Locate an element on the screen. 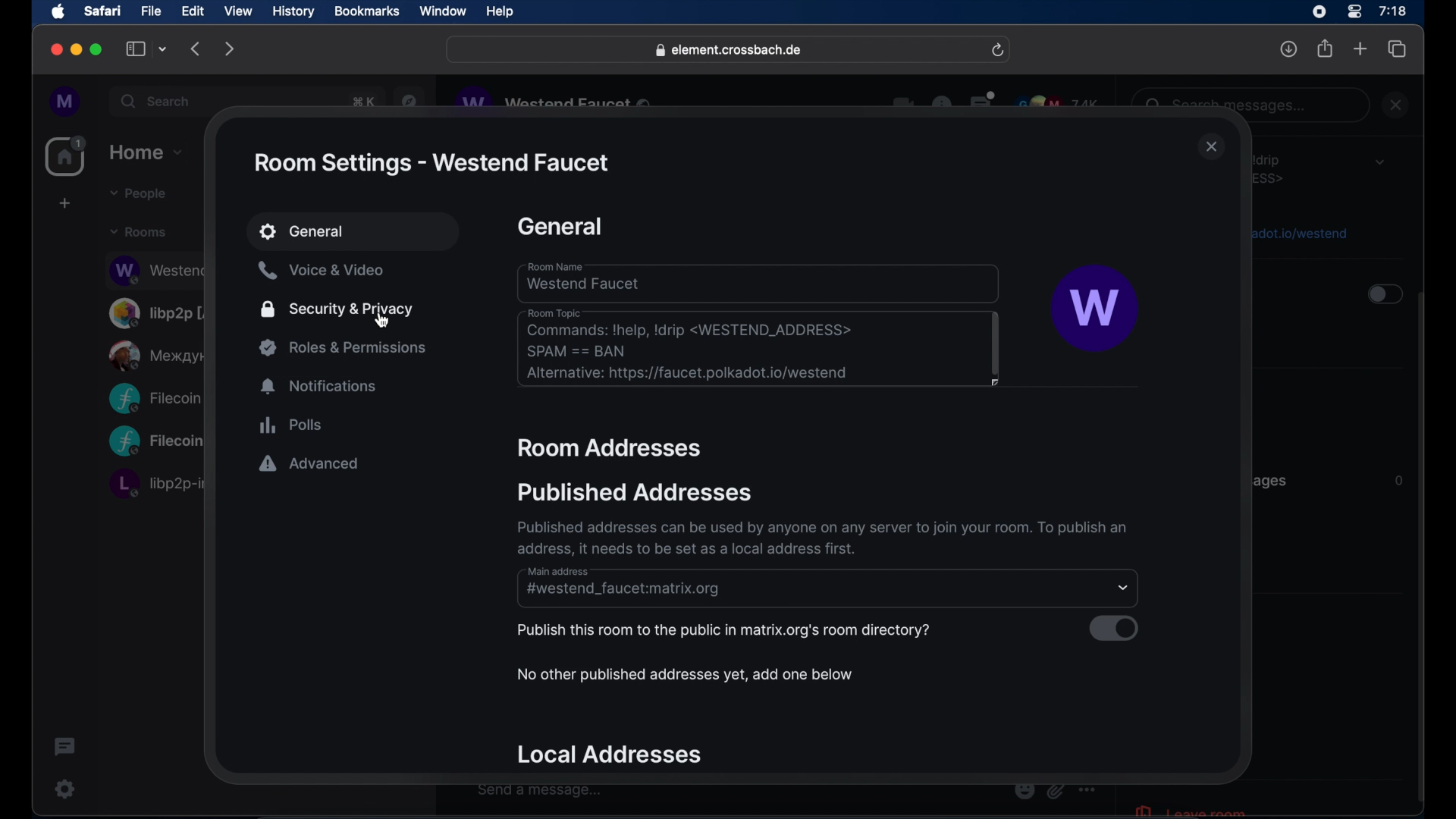 The image size is (1456, 819). close is located at coordinates (1212, 148).